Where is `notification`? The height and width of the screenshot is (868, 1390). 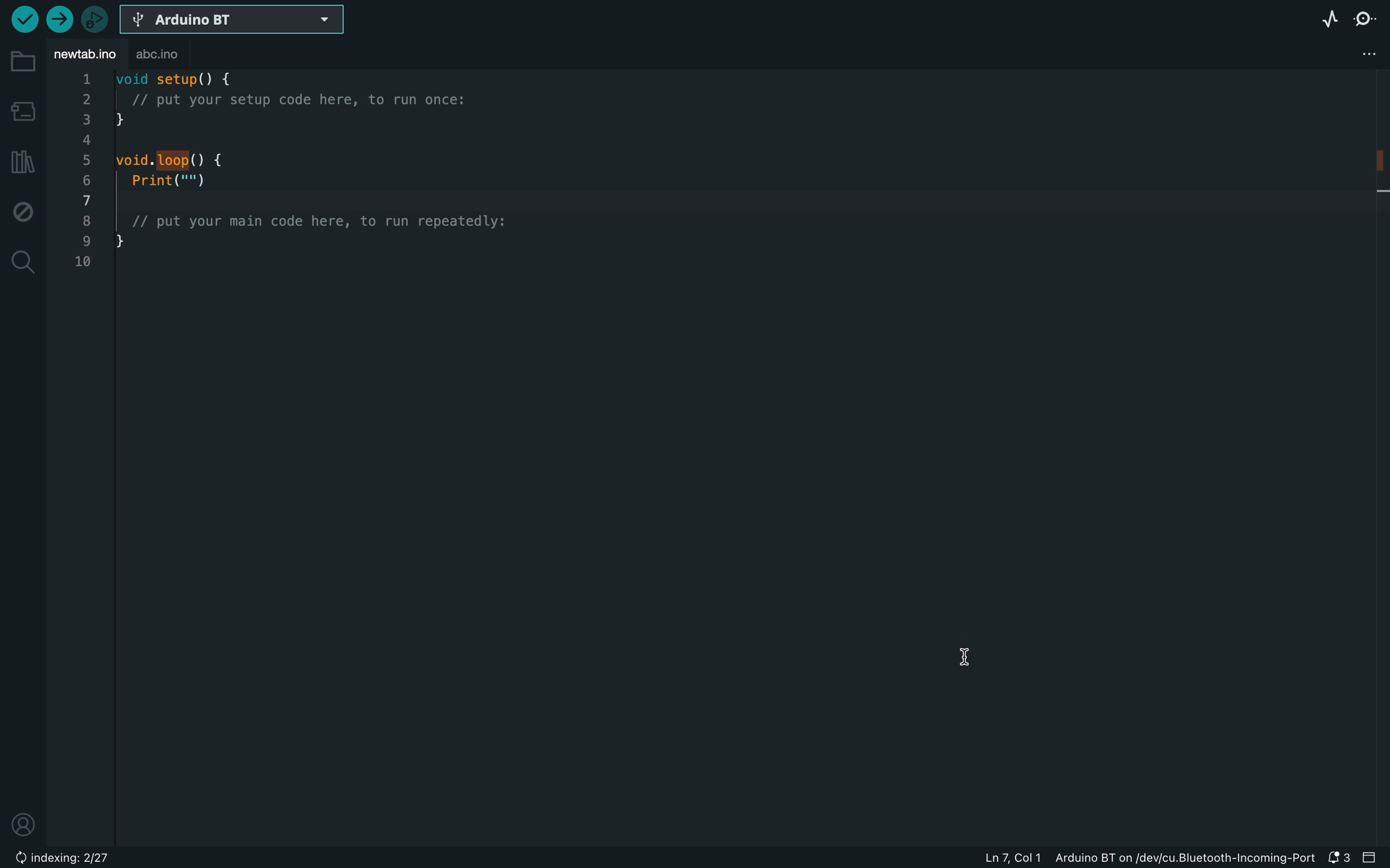 notification is located at coordinates (1340, 859).